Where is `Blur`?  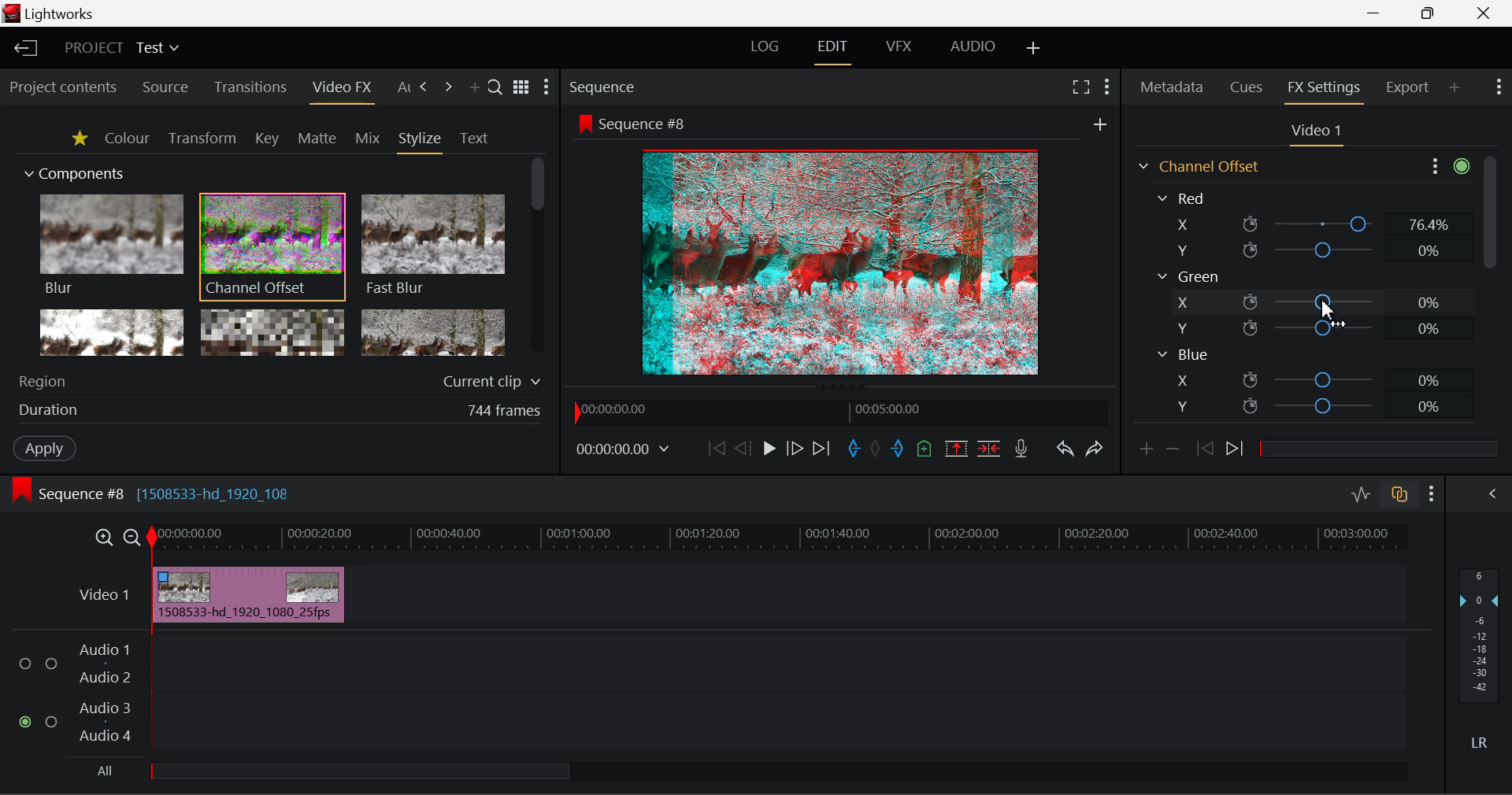 Blur is located at coordinates (110, 246).